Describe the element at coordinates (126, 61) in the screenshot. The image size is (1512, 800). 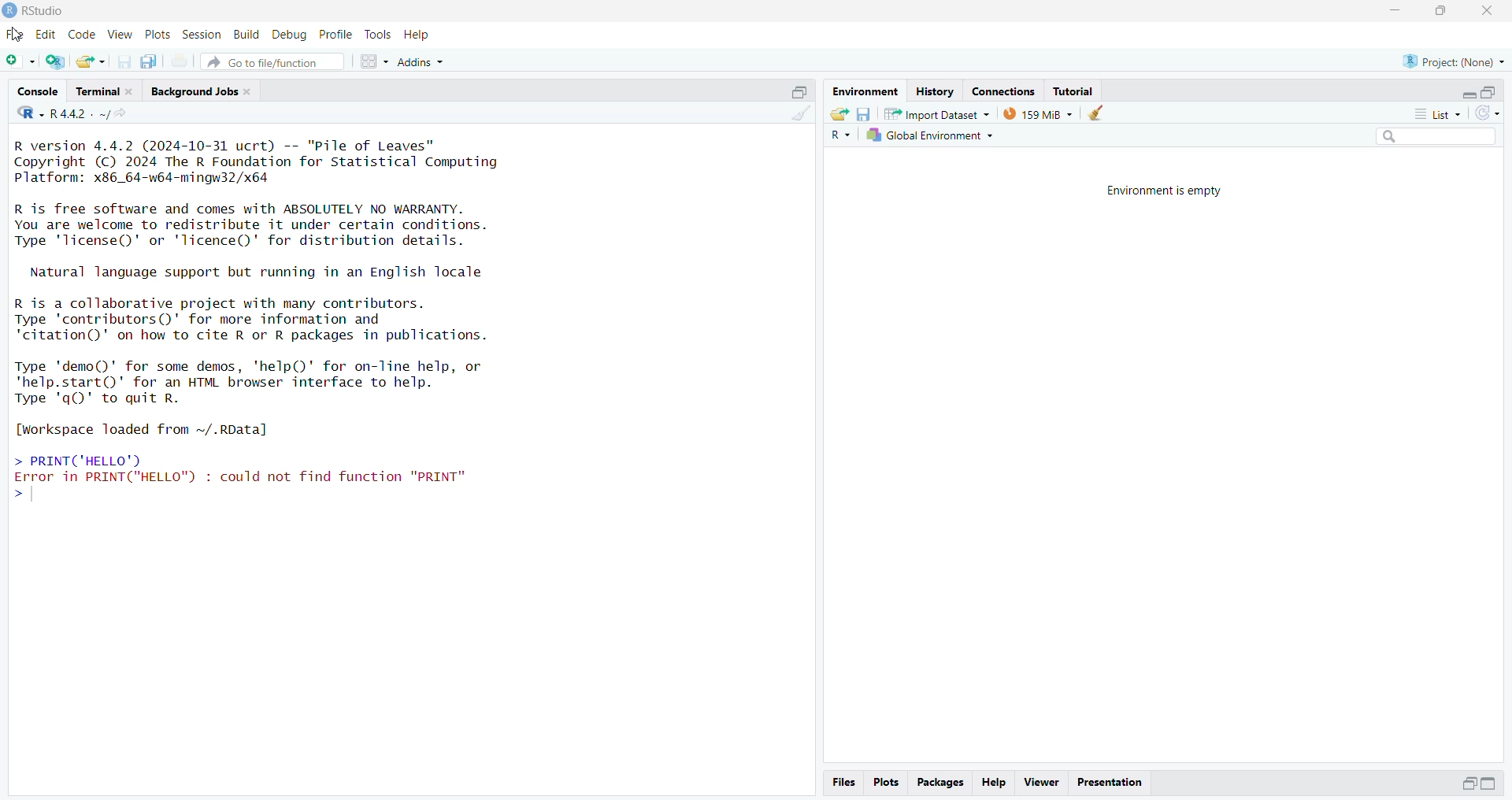
I see `save current document` at that location.